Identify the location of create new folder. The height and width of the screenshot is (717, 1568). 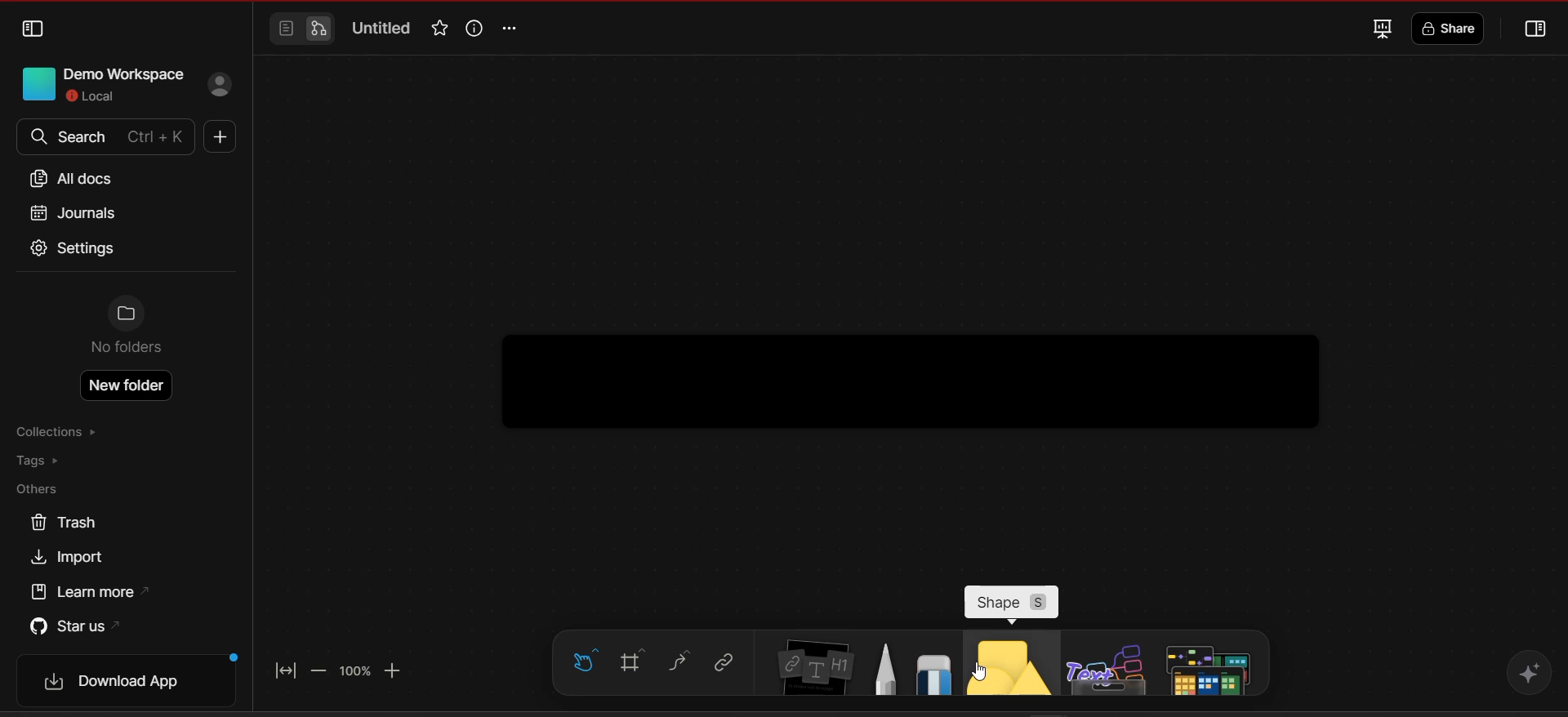
(128, 385).